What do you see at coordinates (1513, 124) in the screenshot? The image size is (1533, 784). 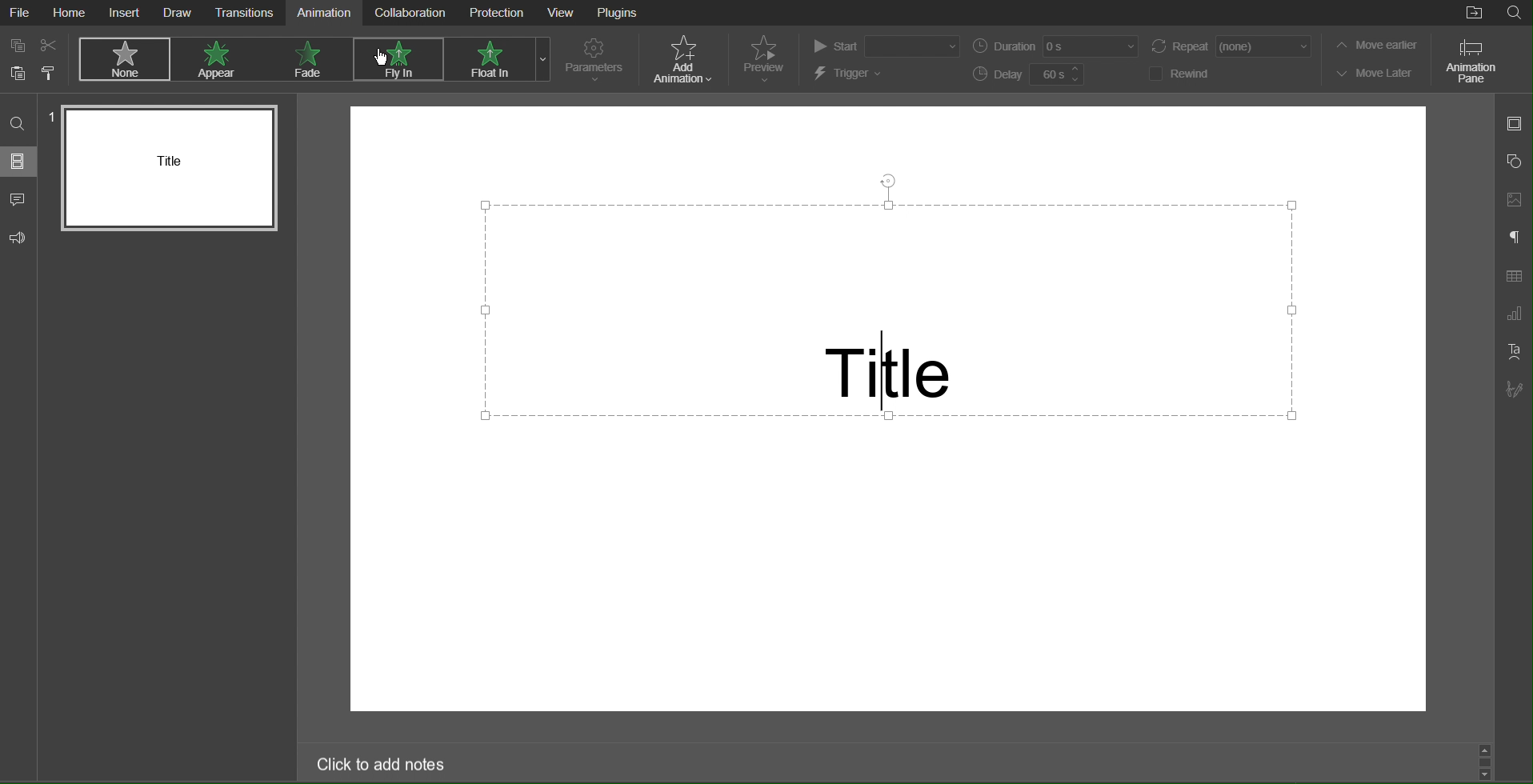 I see `Slide Settings` at bounding box center [1513, 124].